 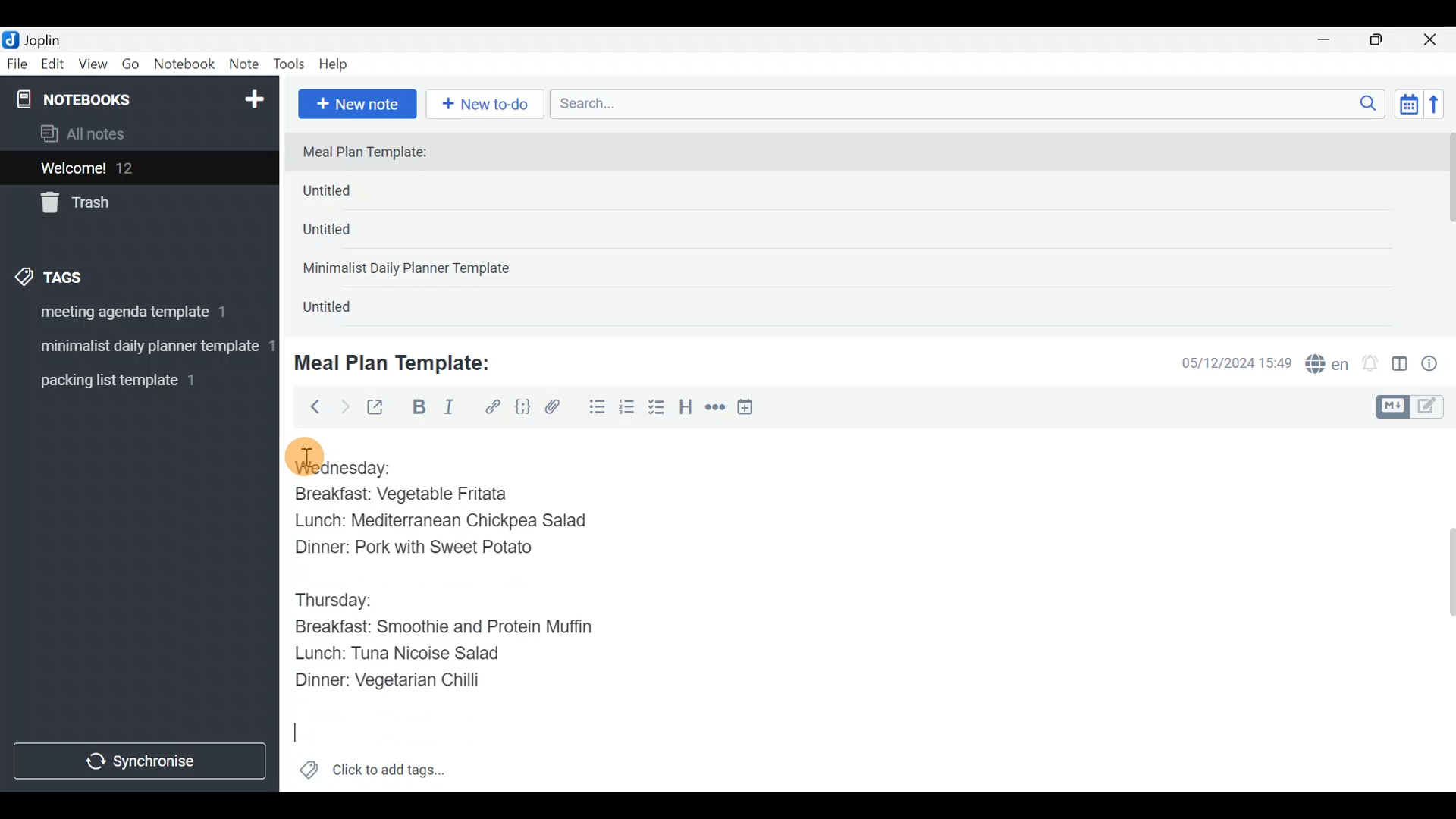 I want to click on Untitled, so click(x=347, y=234).